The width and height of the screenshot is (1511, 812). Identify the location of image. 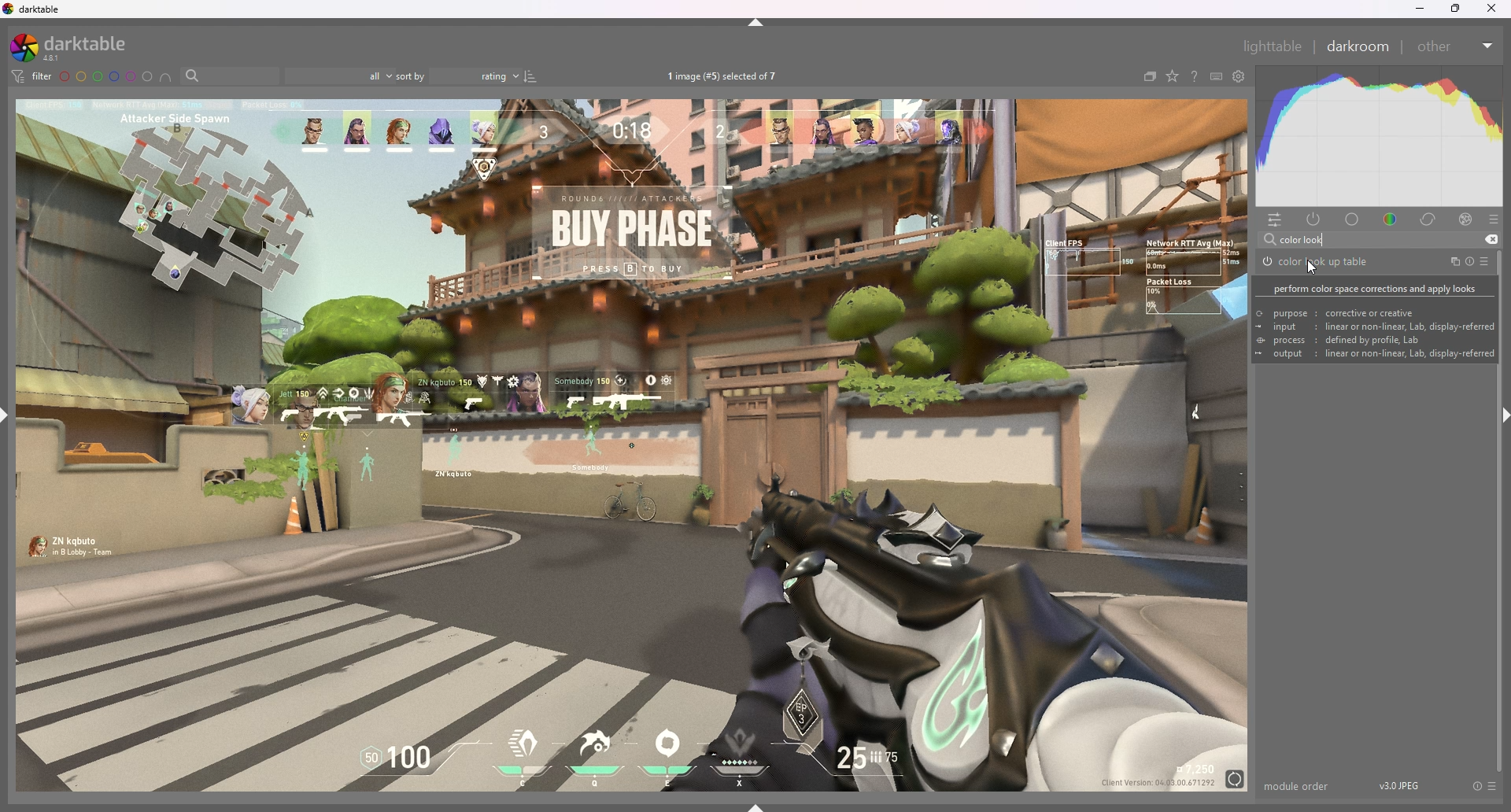
(631, 446).